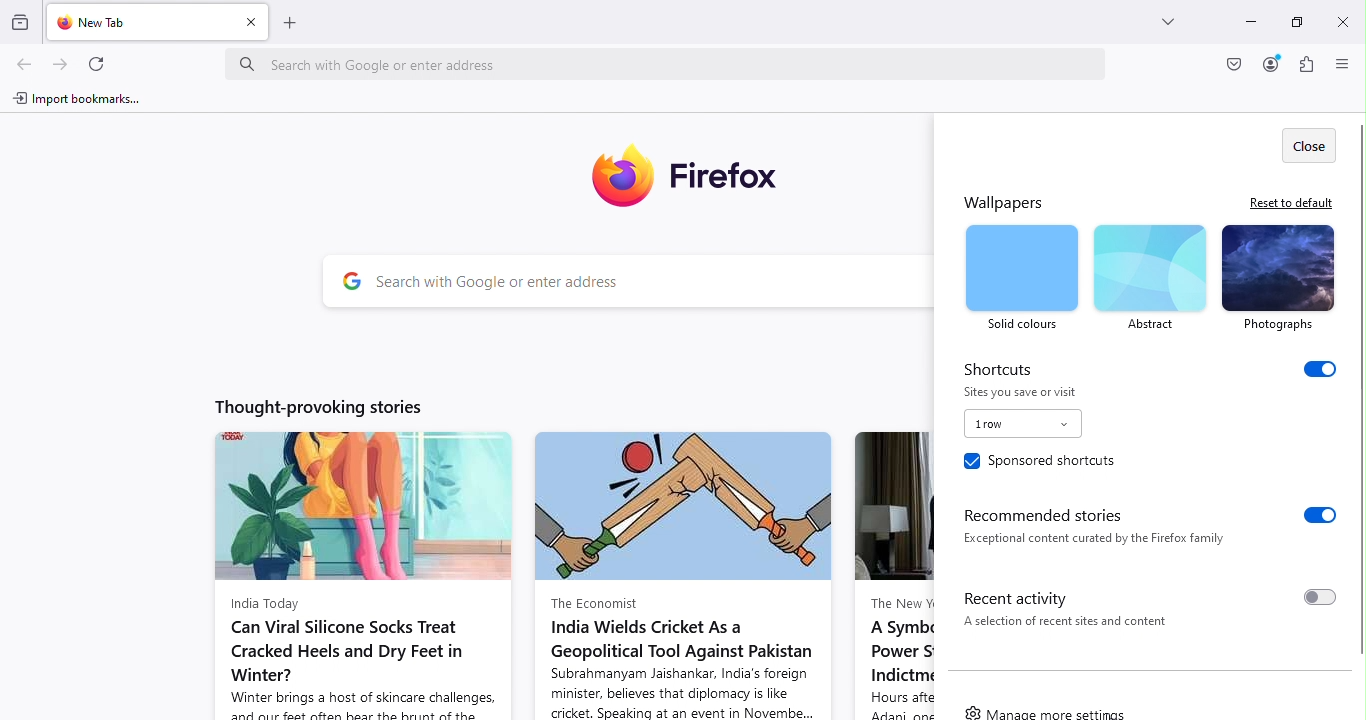 Image resolution: width=1366 pixels, height=720 pixels. What do you see at coordinates (1321, 374) in the screenshot?
I see `toggle on/off shorcuts` at bounding box center [1321, 374].